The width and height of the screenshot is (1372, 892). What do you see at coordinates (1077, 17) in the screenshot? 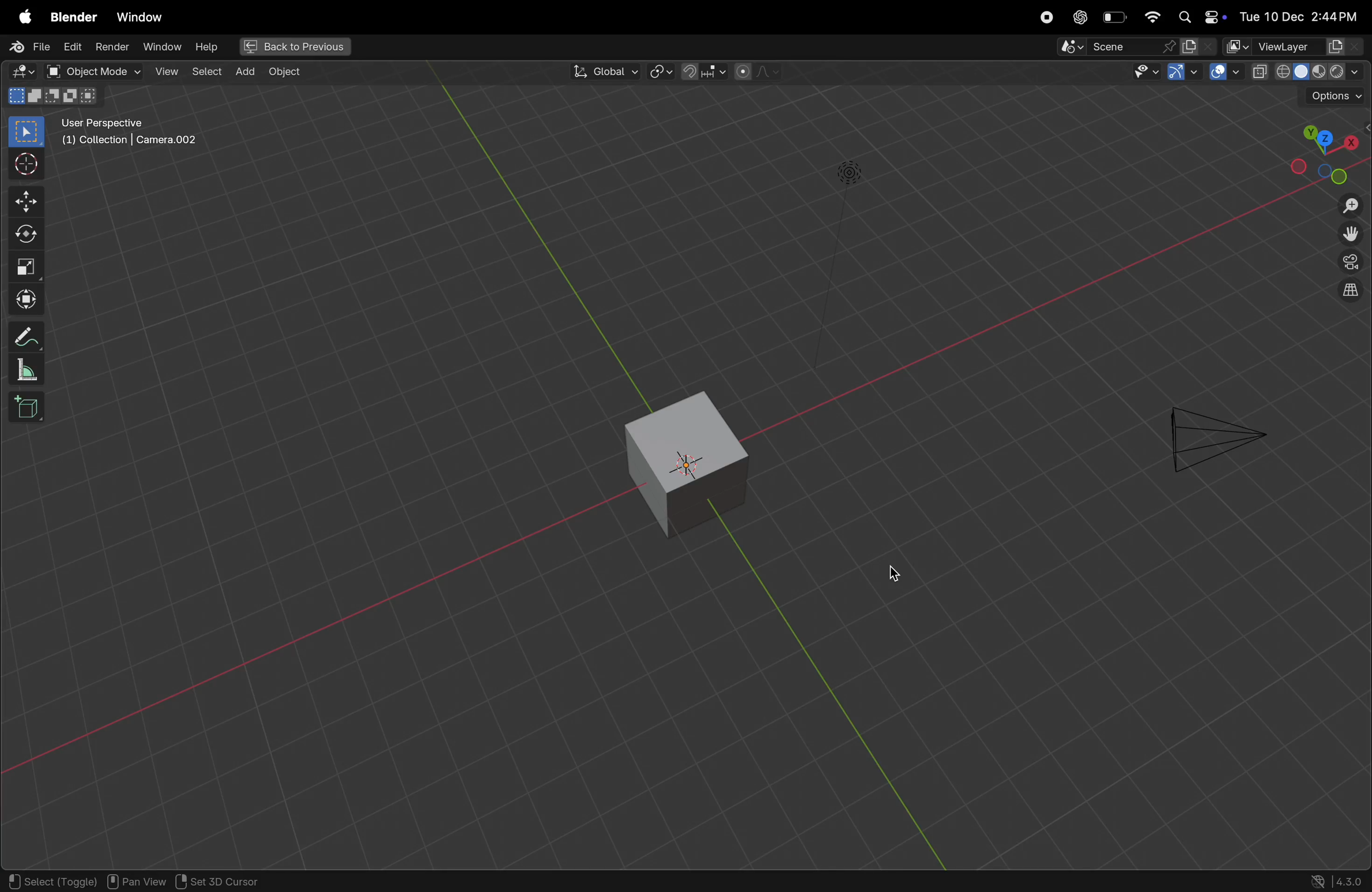
I see `chatgpt` at bounding box center [1077, 17].